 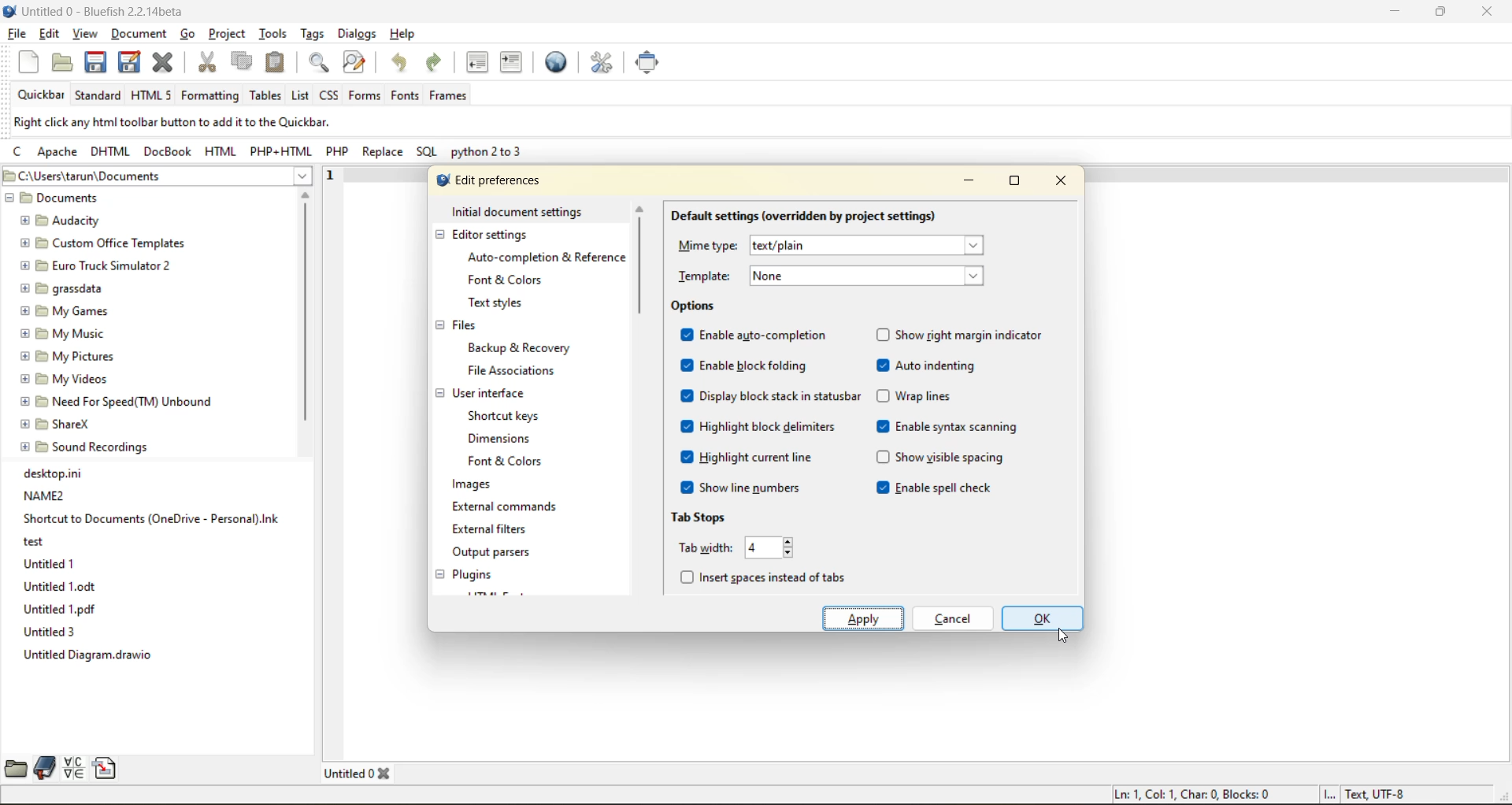 What do you see at coordinates (13, 770) in the screenshot?
I see `file browser` at bounding box center [13, 770].